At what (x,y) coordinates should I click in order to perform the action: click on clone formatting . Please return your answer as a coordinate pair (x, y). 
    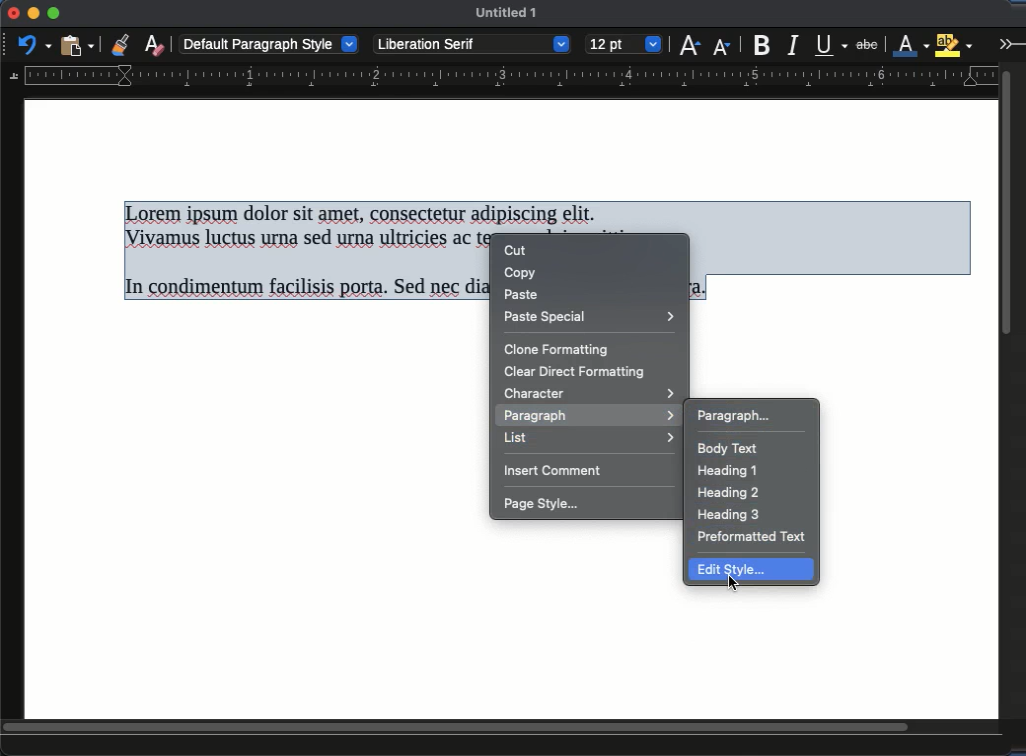
    Looking at the image, I should click on (559, 352).